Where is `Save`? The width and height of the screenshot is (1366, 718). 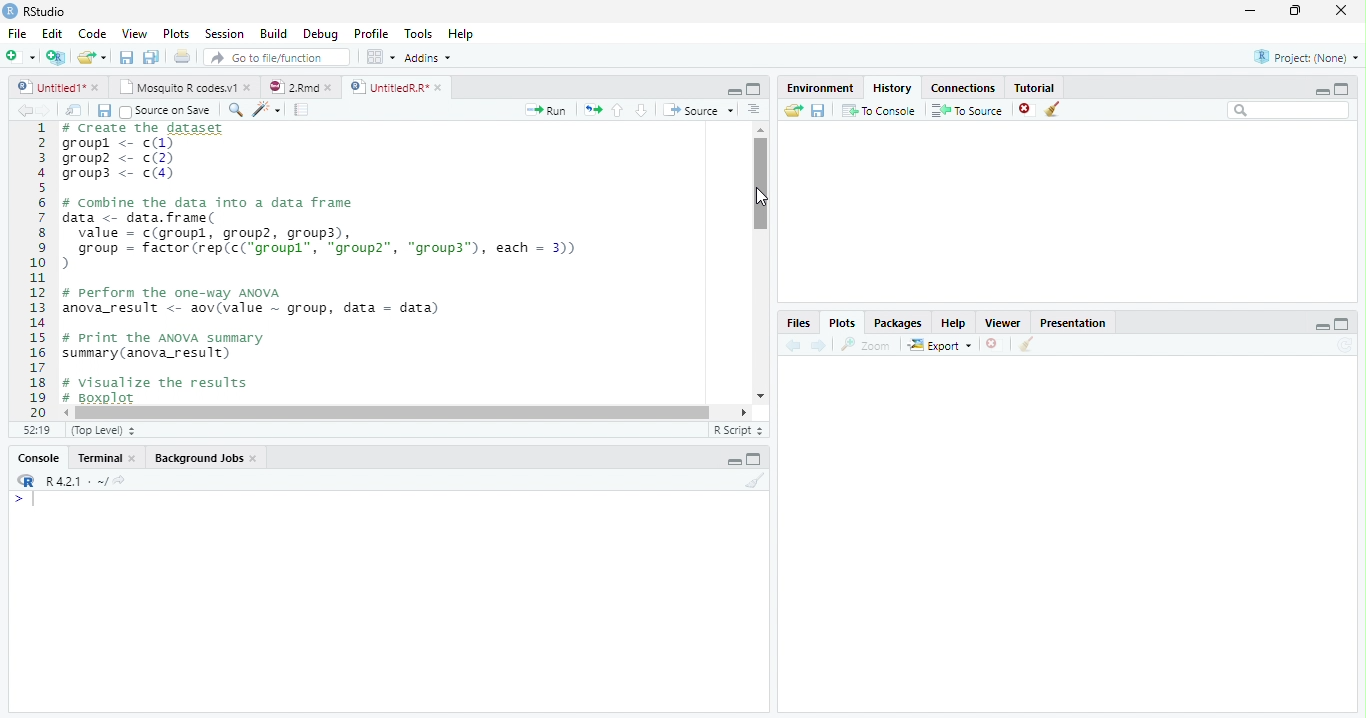 Save is located at coordinates (128, 58).